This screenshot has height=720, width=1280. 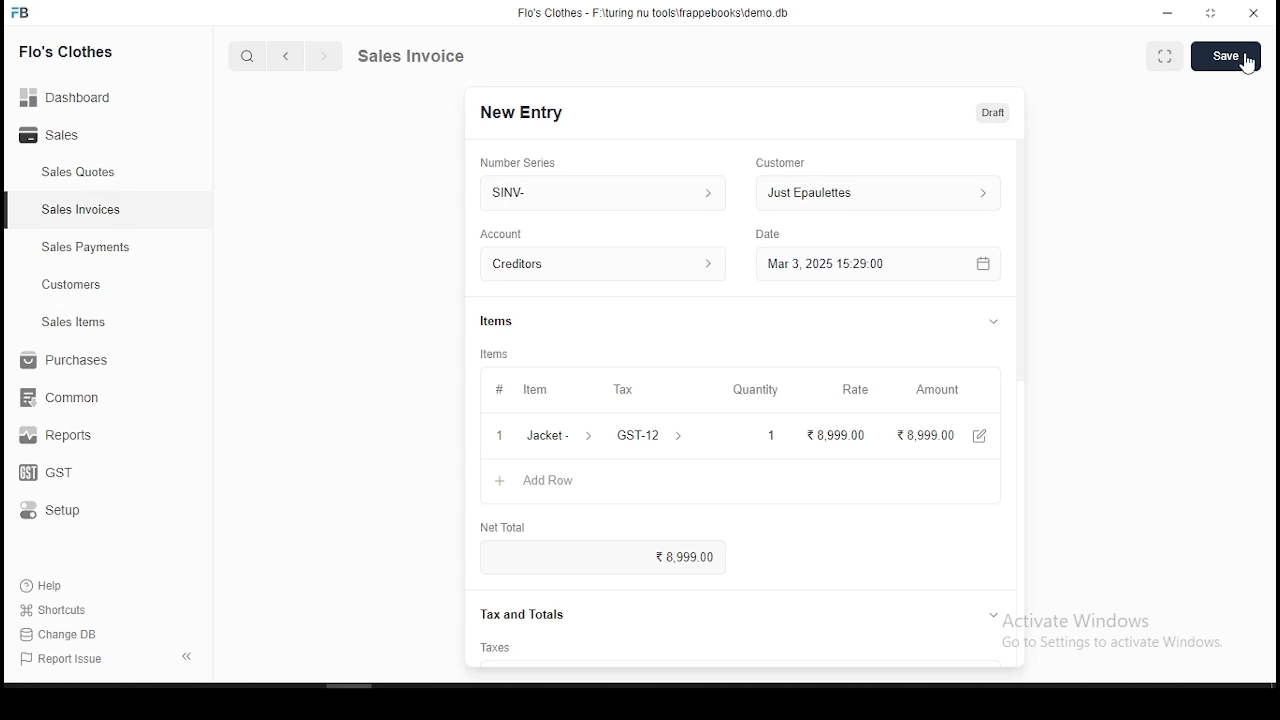 I want to click on common, so click(x=67, y=397).